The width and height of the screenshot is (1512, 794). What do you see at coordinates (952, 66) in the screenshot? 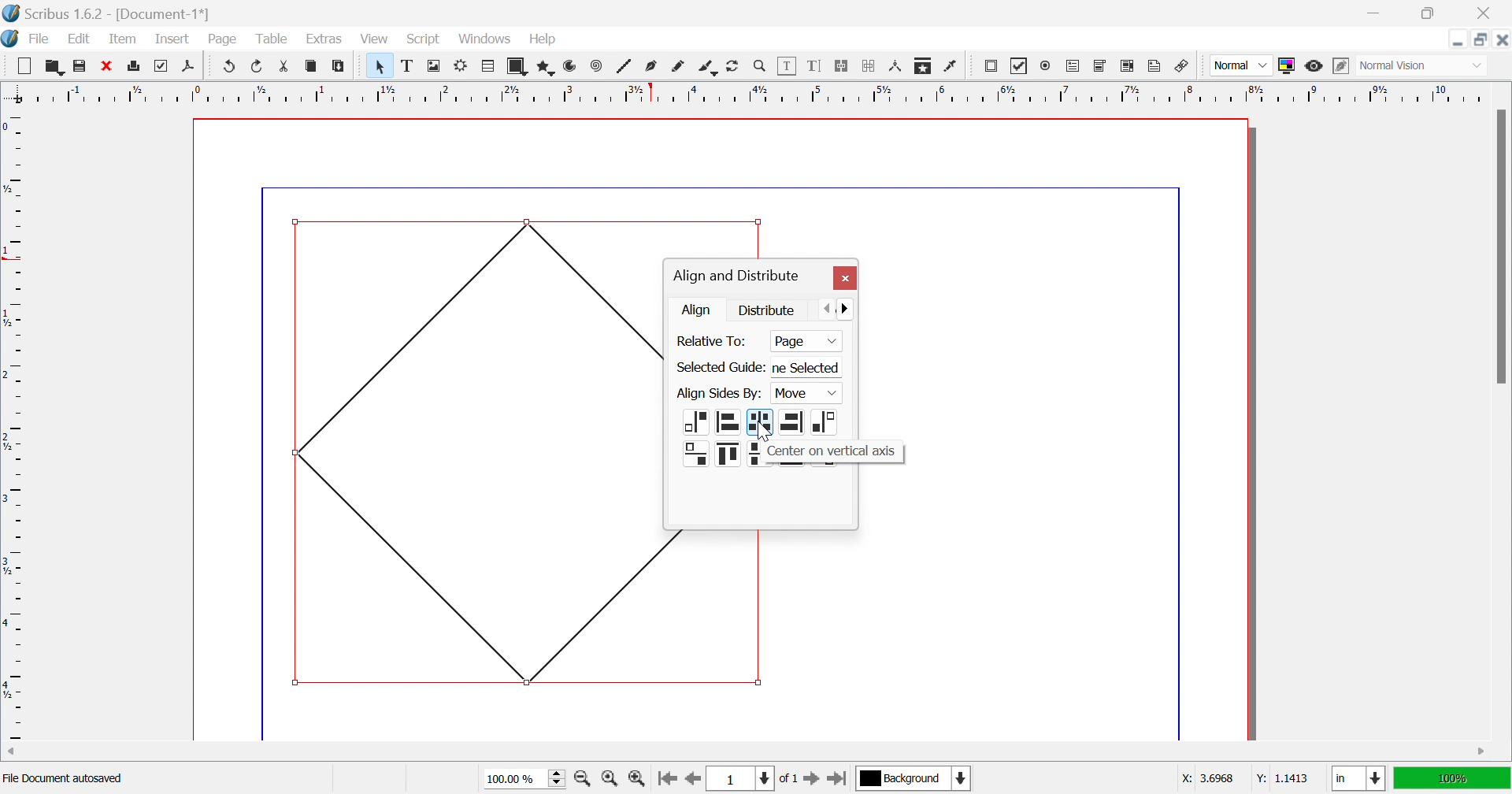
I see `Eye dropper` at bounding box center [952, 66].